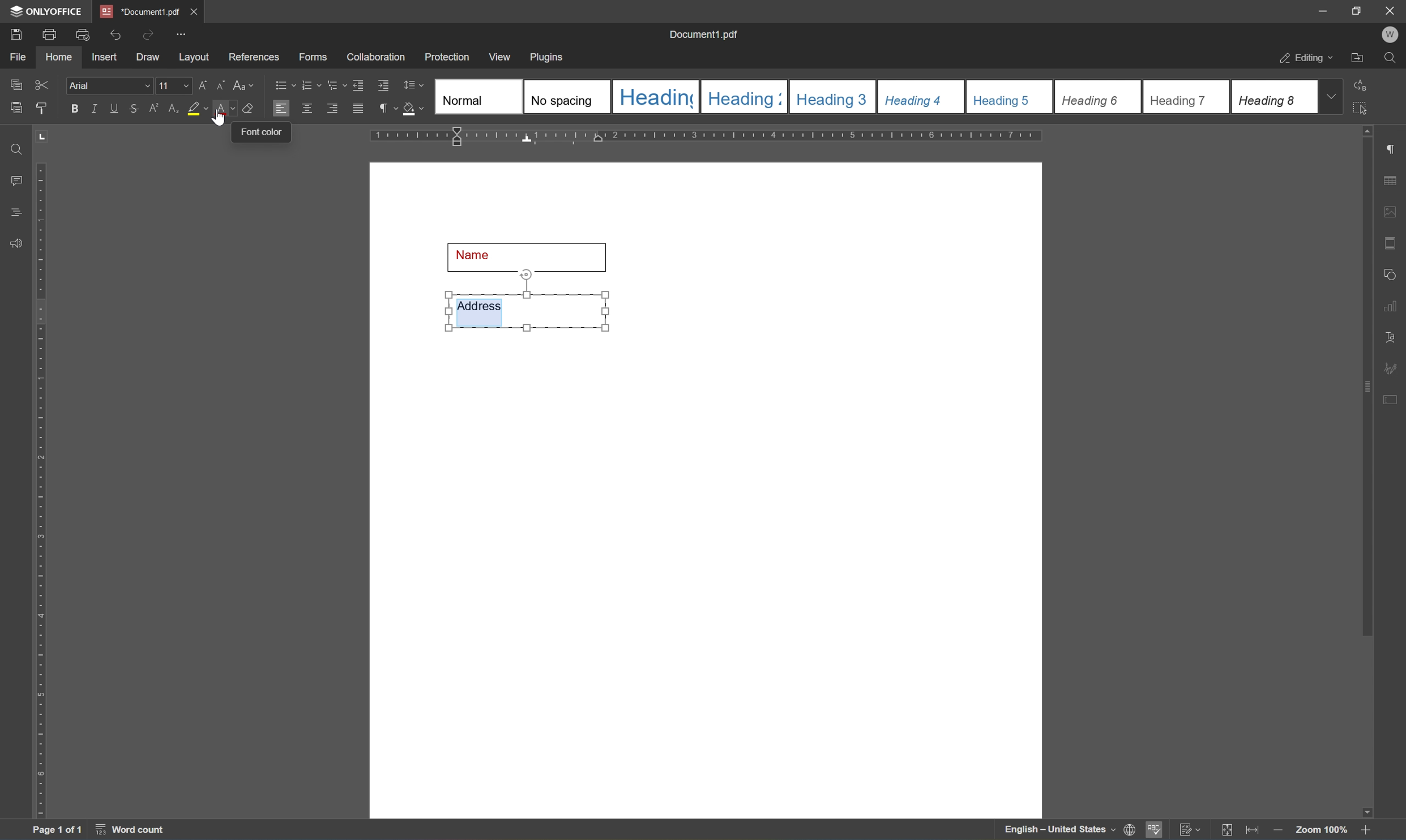 The image size is (1406, 840). I want to click on drop down, so click(1335, 97).